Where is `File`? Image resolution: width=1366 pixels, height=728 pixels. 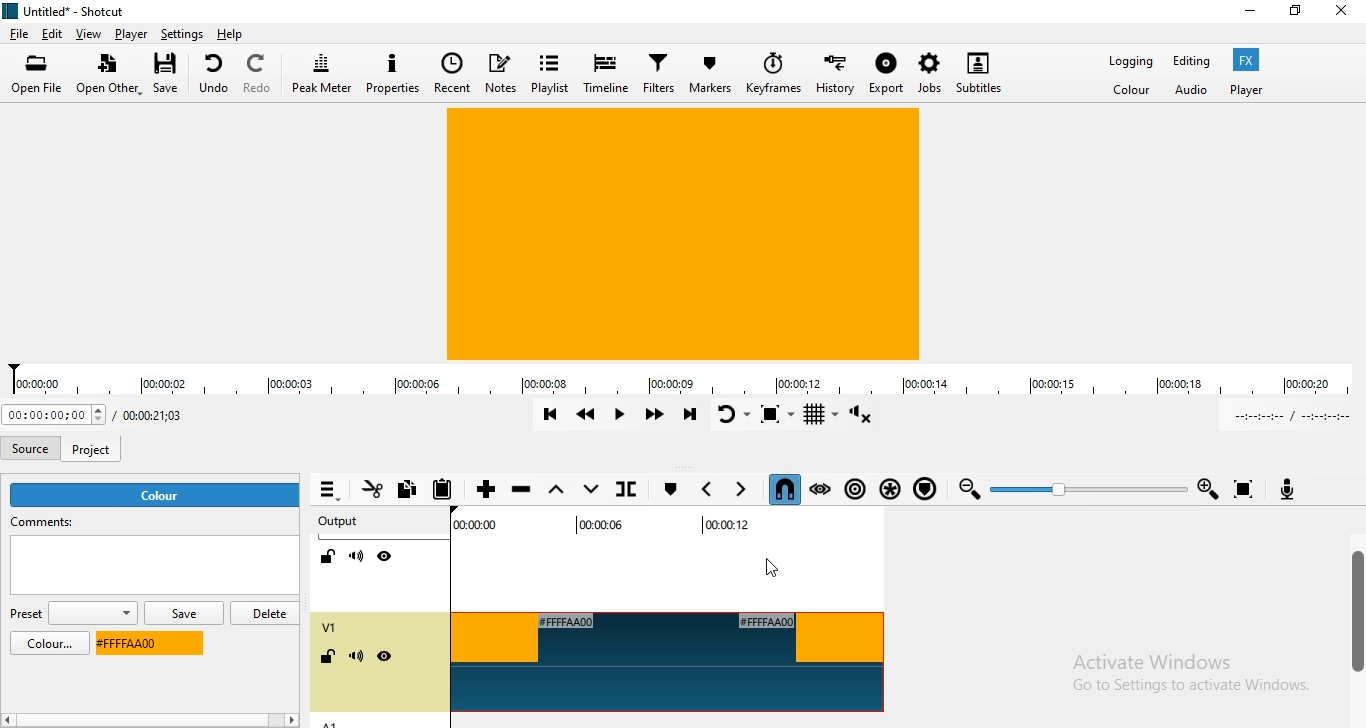
File is located at coordinates (18, 34).